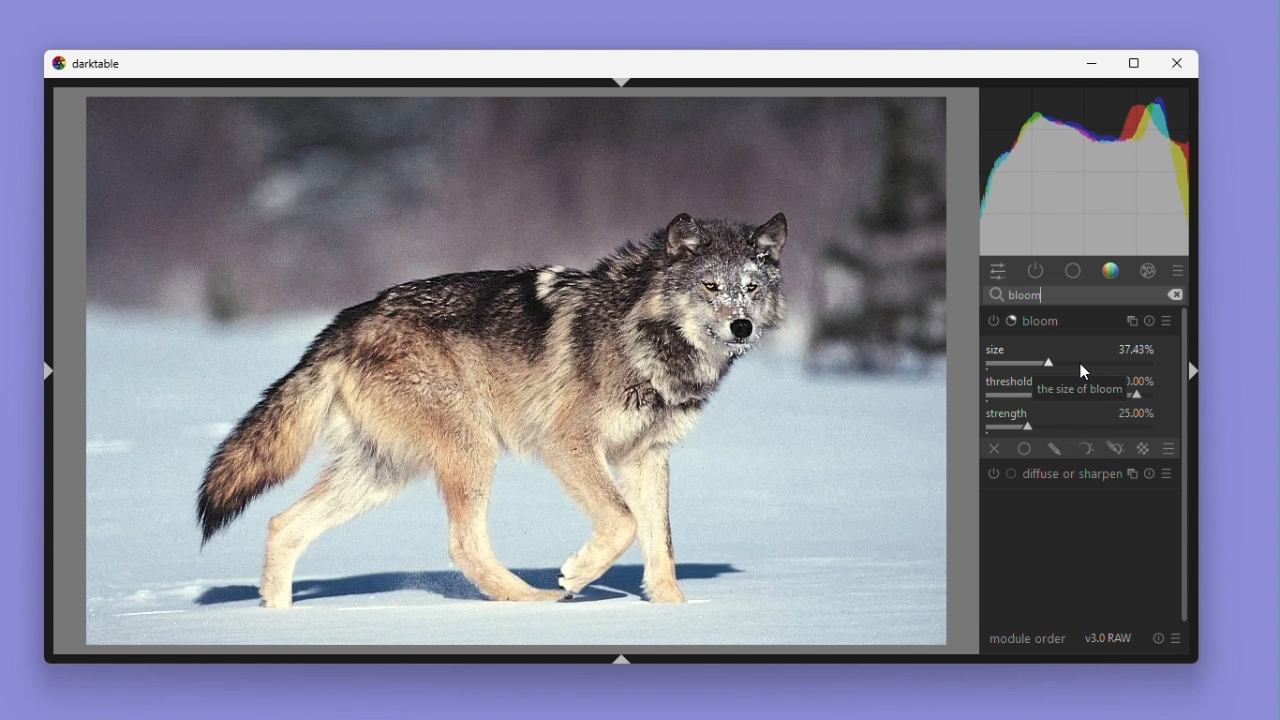  What do you see at coordinates (1009, 412) in the screenshot?
I see `Strength` at bounding box center [1009, 412].